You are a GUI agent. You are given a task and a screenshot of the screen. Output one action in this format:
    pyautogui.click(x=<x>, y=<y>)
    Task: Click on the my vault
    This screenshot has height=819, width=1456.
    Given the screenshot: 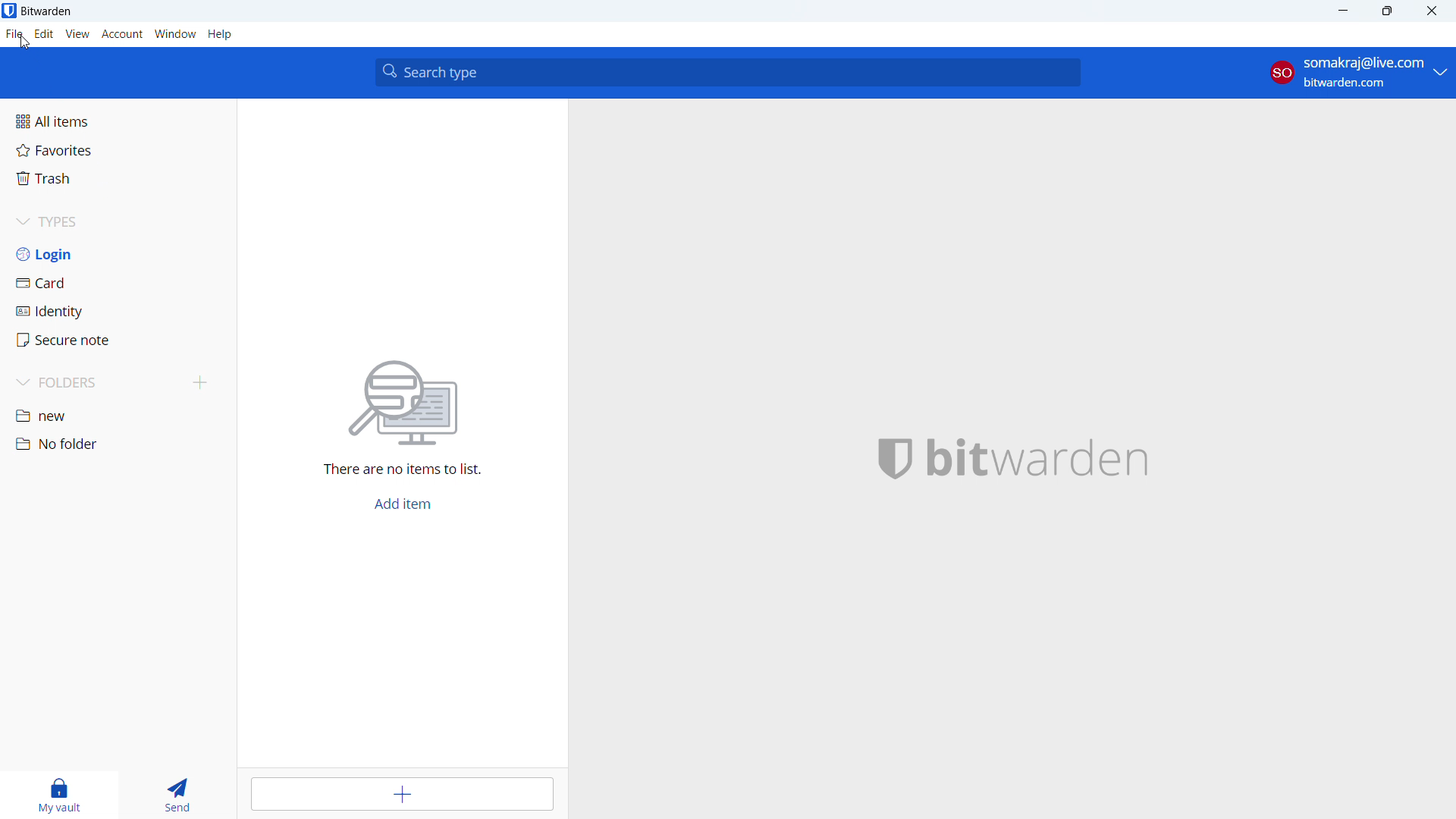 What is the action you would take?
    pyautogui.click(x=58, y=795)
    